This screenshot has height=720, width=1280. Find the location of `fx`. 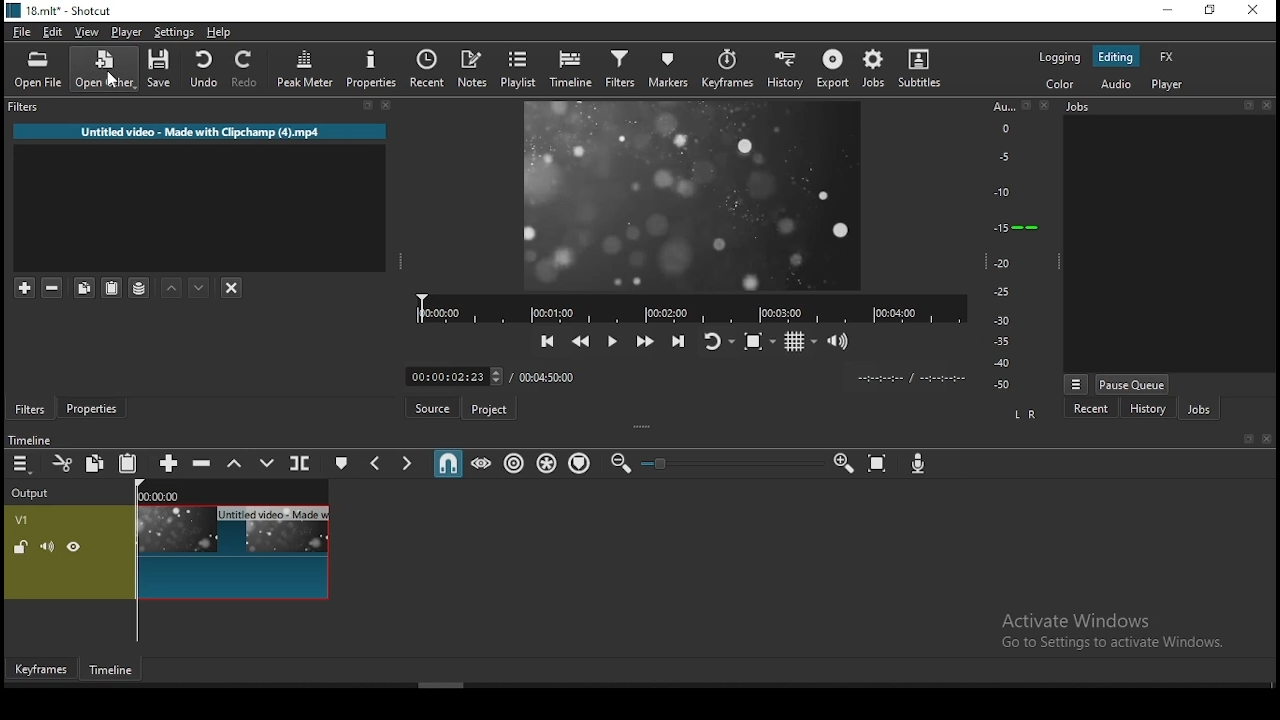

fx is located at coordinates (1167, 56).